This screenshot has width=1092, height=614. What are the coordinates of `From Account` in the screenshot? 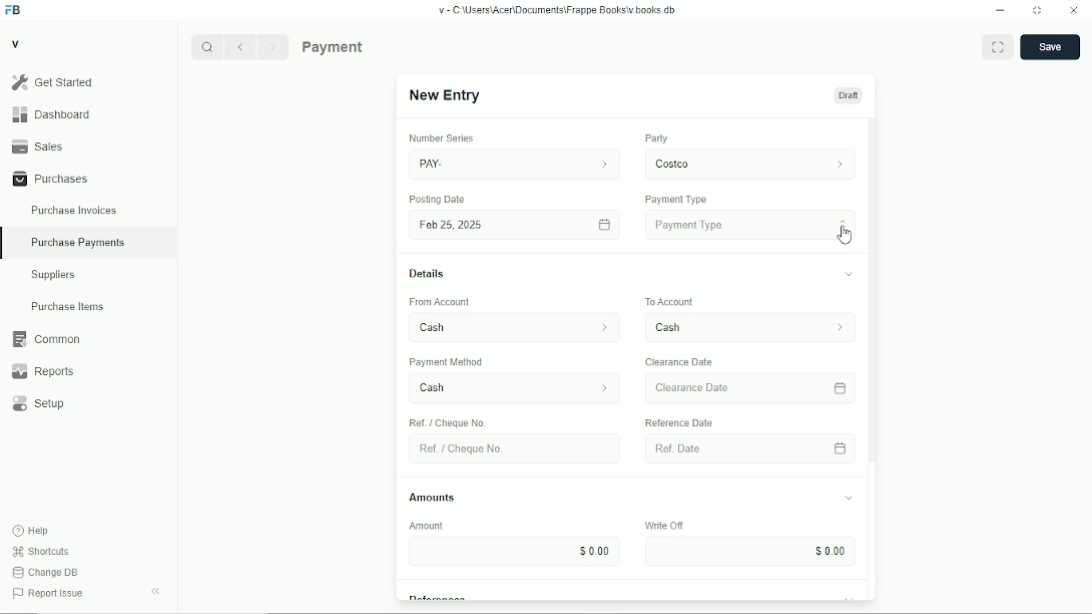 It's located at (508, 325).